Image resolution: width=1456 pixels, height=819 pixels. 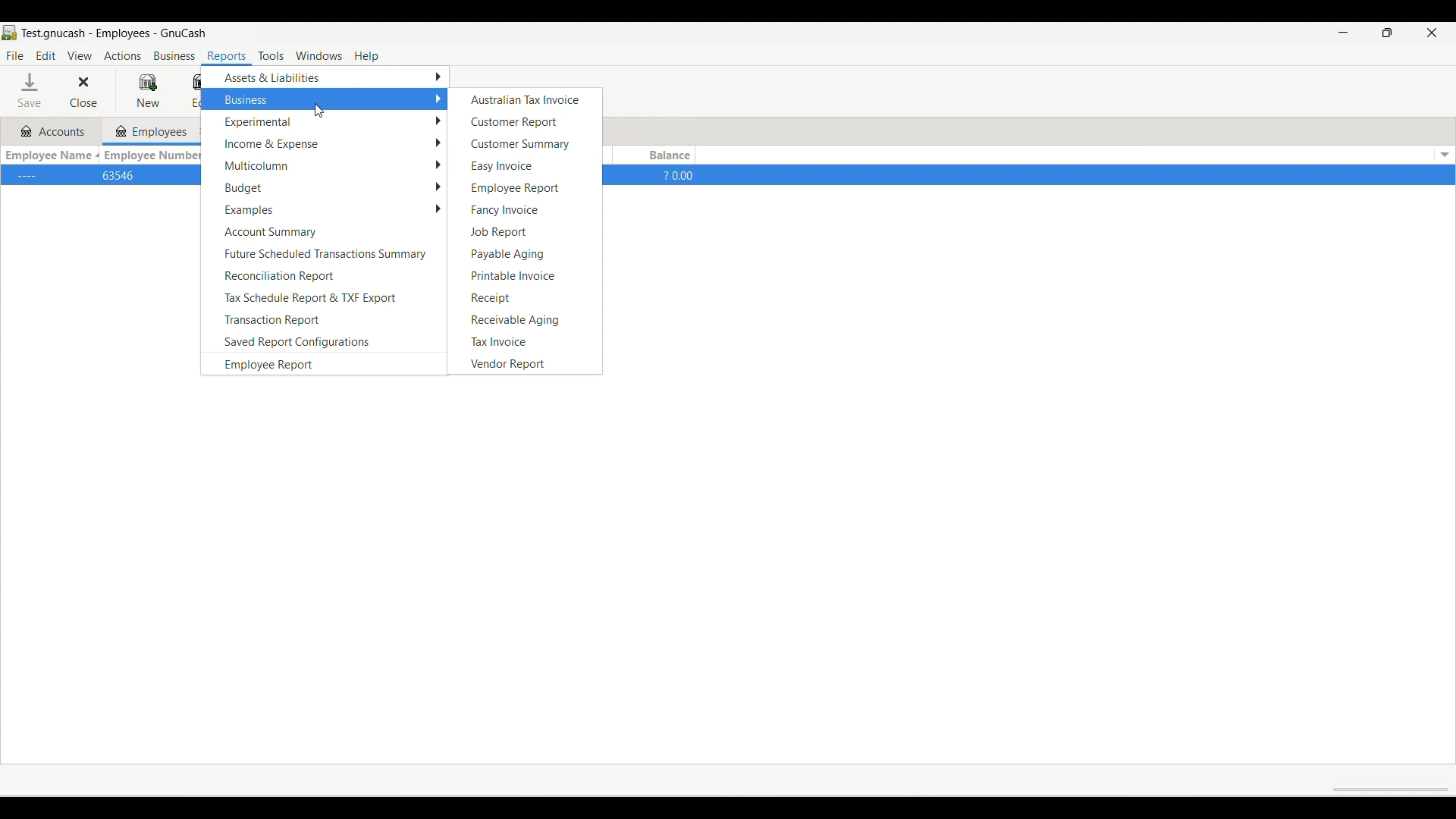 I want to click on Assets and liabilities options, so click(x=326, y=77).